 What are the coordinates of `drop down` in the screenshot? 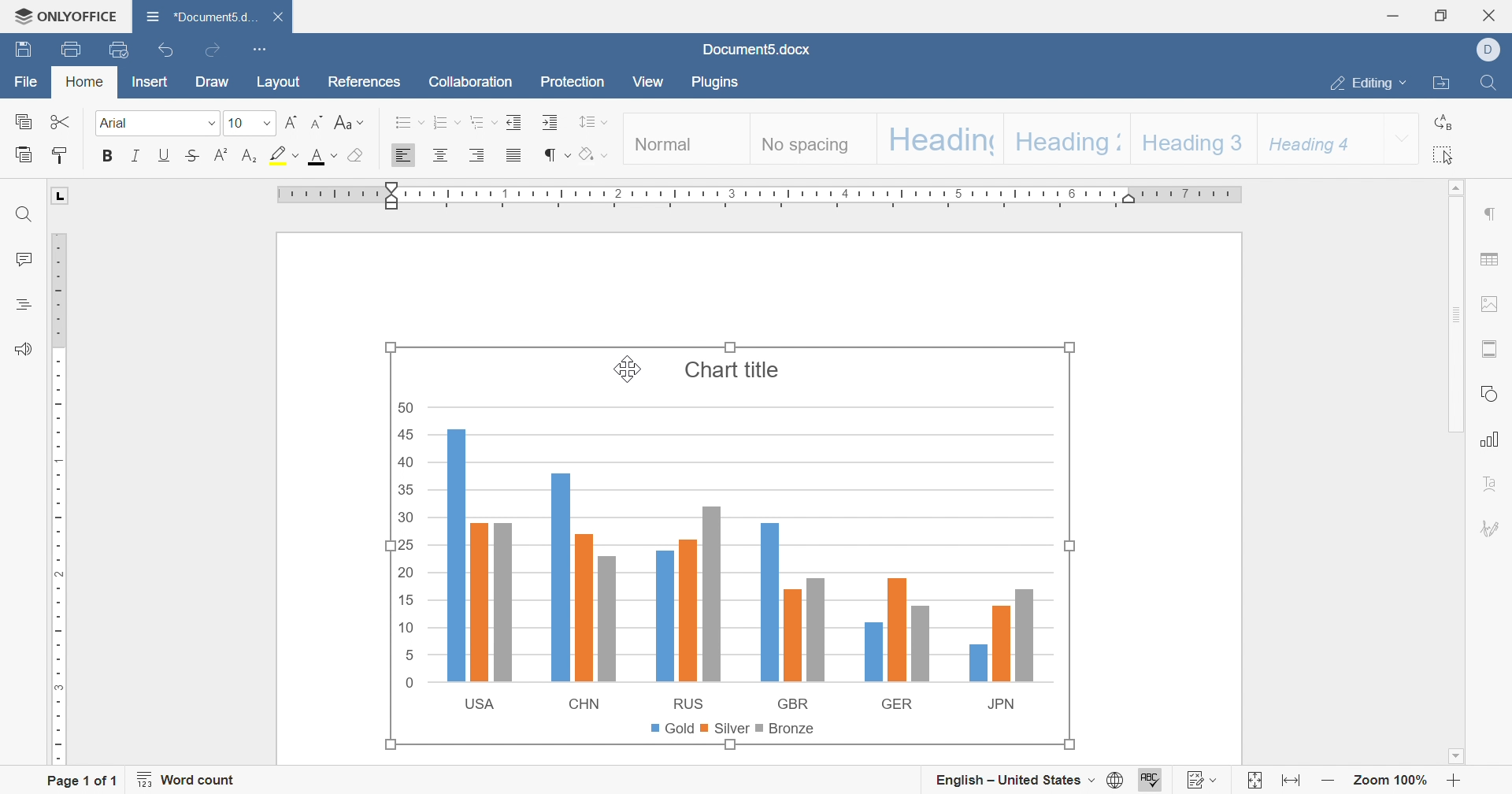 It's located at (269, 124).